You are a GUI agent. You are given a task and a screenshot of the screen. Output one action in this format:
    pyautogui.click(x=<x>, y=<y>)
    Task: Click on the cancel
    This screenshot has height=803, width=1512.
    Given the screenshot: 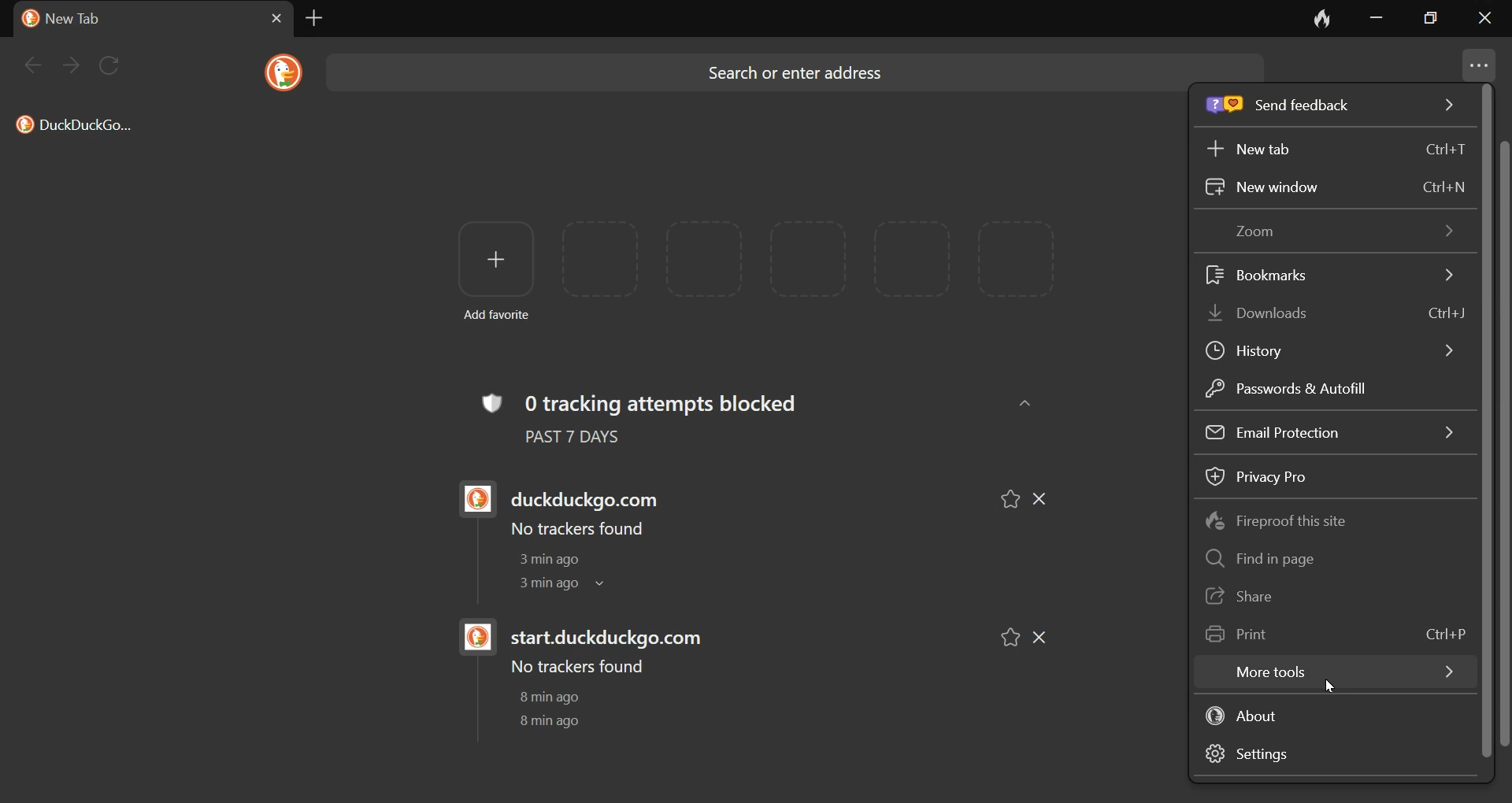 What is the action you would take?
    pyautogui.click(x=1051, y=495)
    